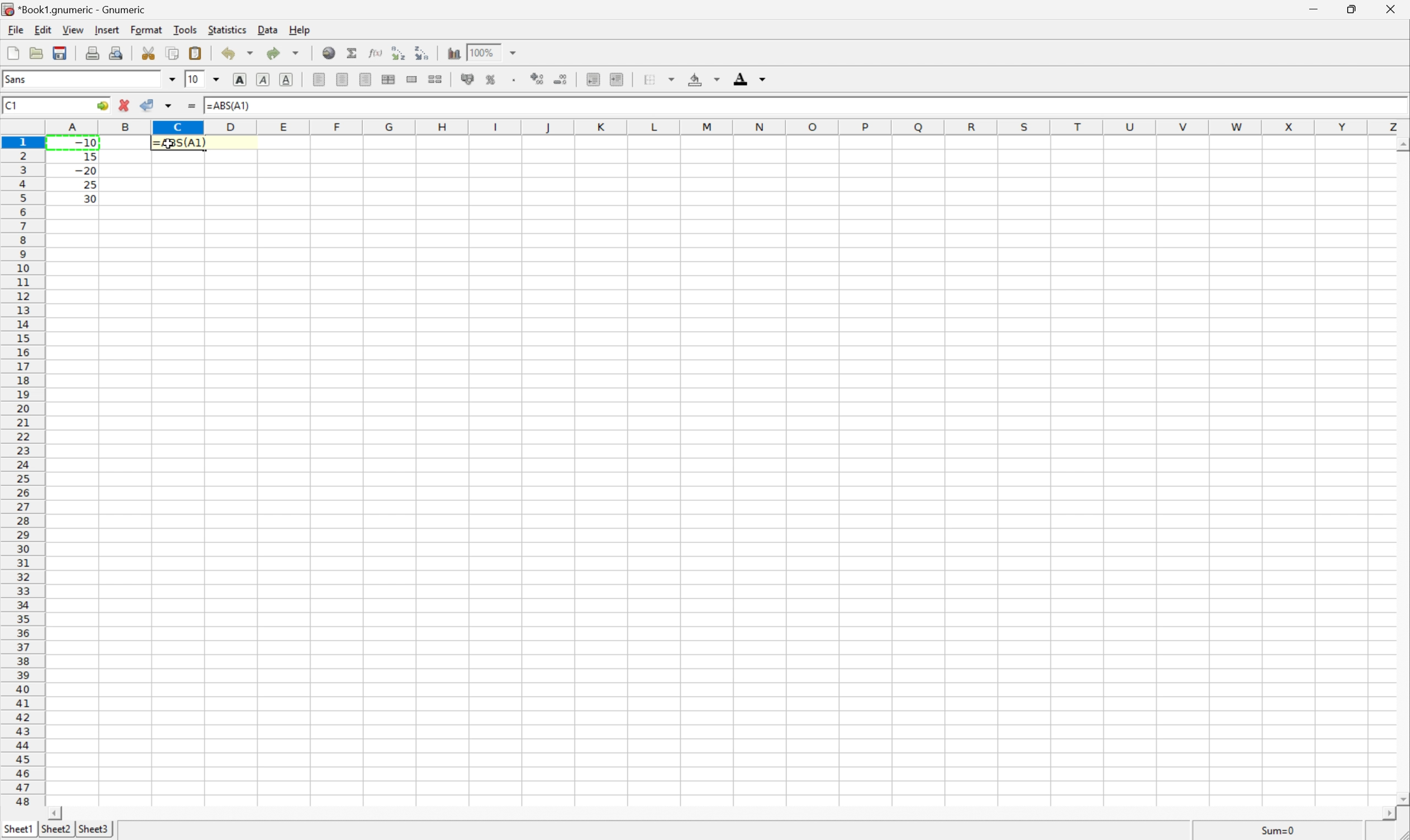 This screenshot has width=1410, height=840. I want to click on Foreground, so click(740, 81).